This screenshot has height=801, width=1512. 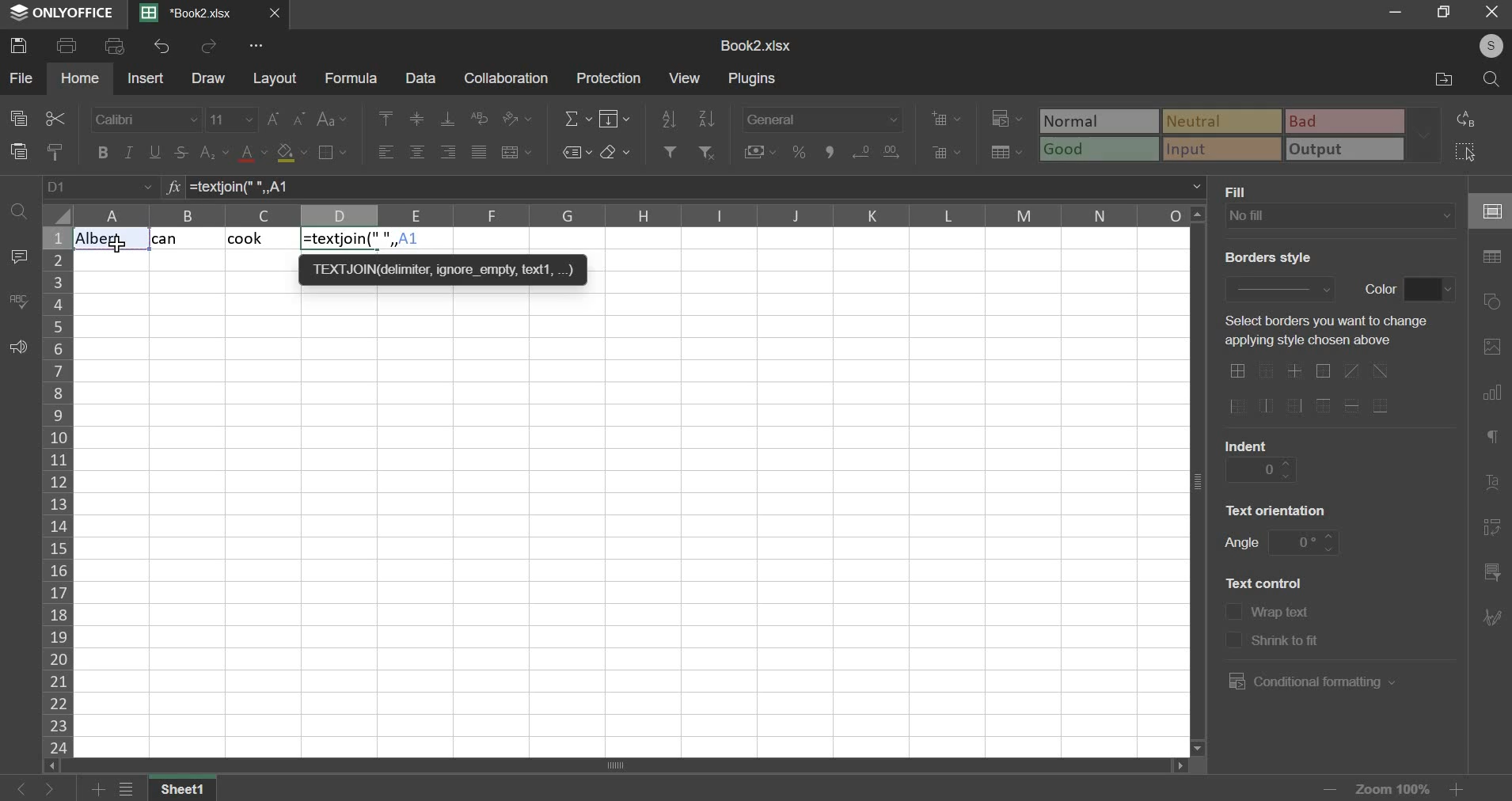 I want to click on increase decimals, so click(x=861, y=150).